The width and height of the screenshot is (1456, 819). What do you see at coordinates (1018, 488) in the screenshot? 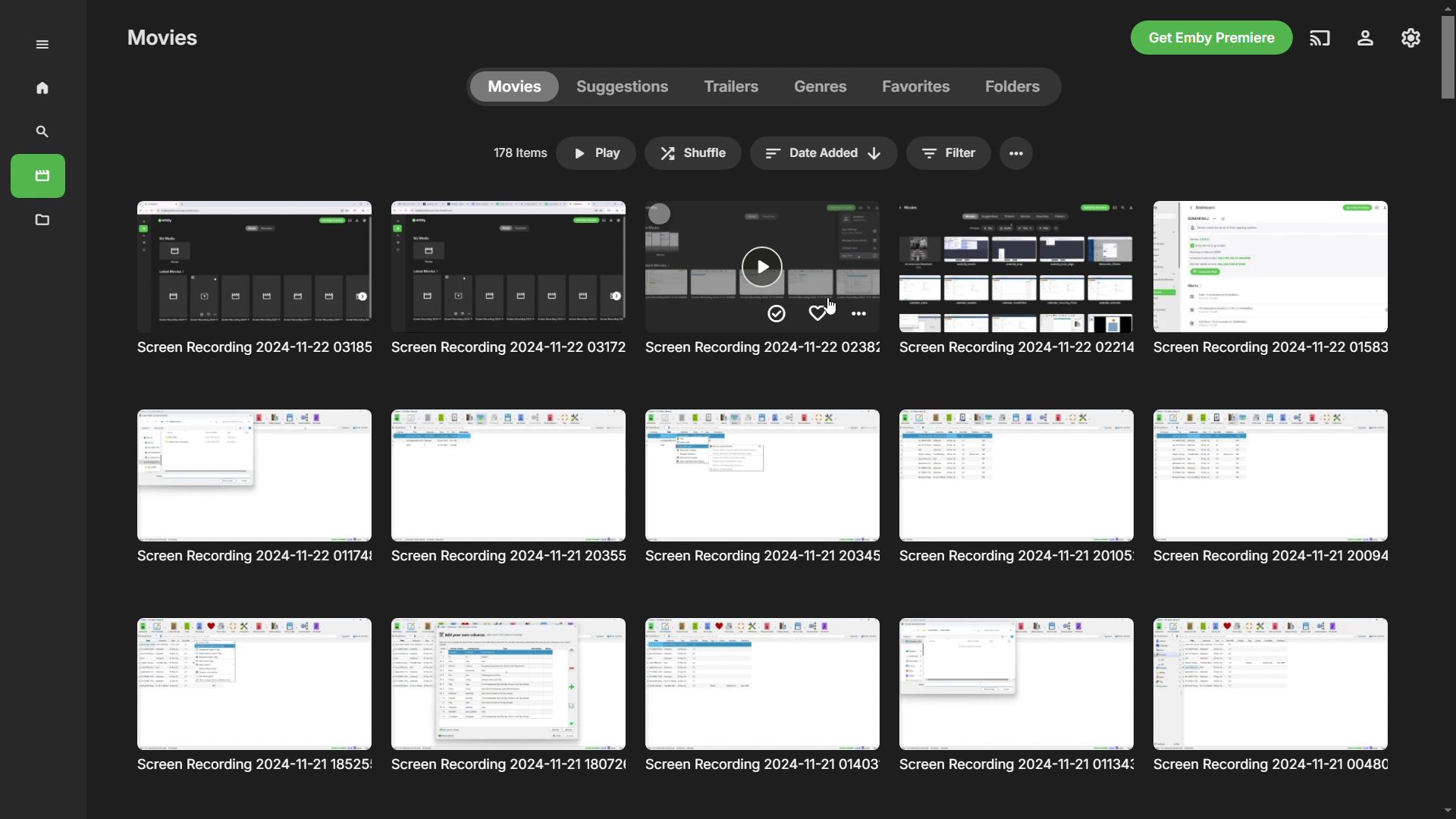
I see `` at bounding box center [1018, 488].